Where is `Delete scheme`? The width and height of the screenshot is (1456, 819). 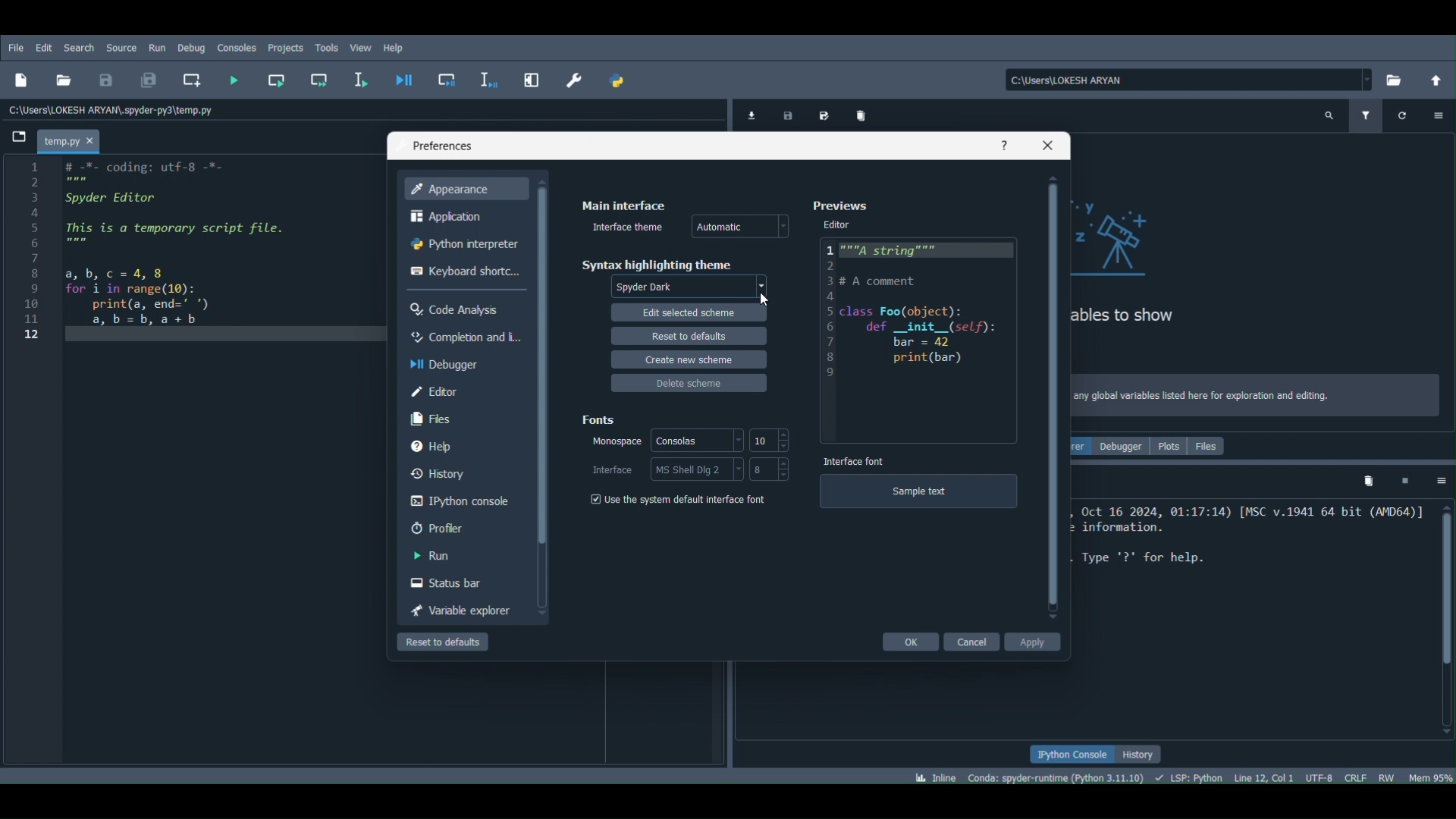 Delete scheme is located at coordinates (695, 387).